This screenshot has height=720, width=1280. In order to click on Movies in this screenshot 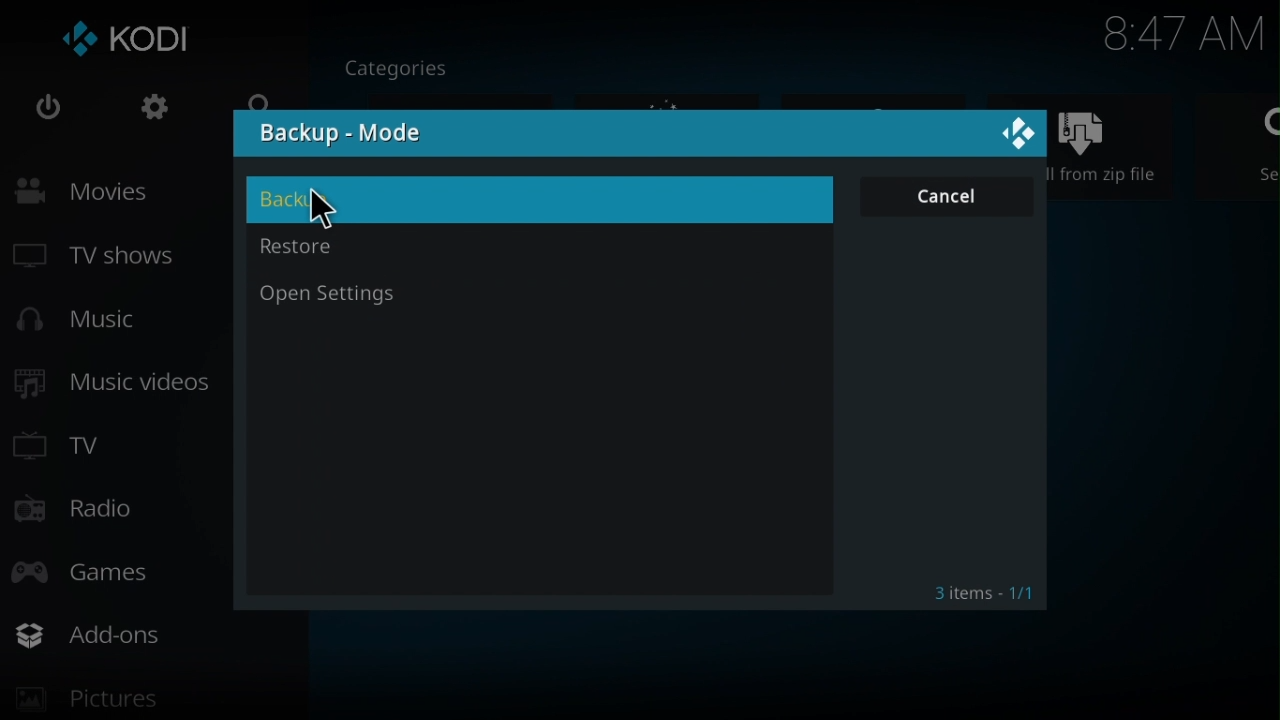, I will do `click(128, 191)`.